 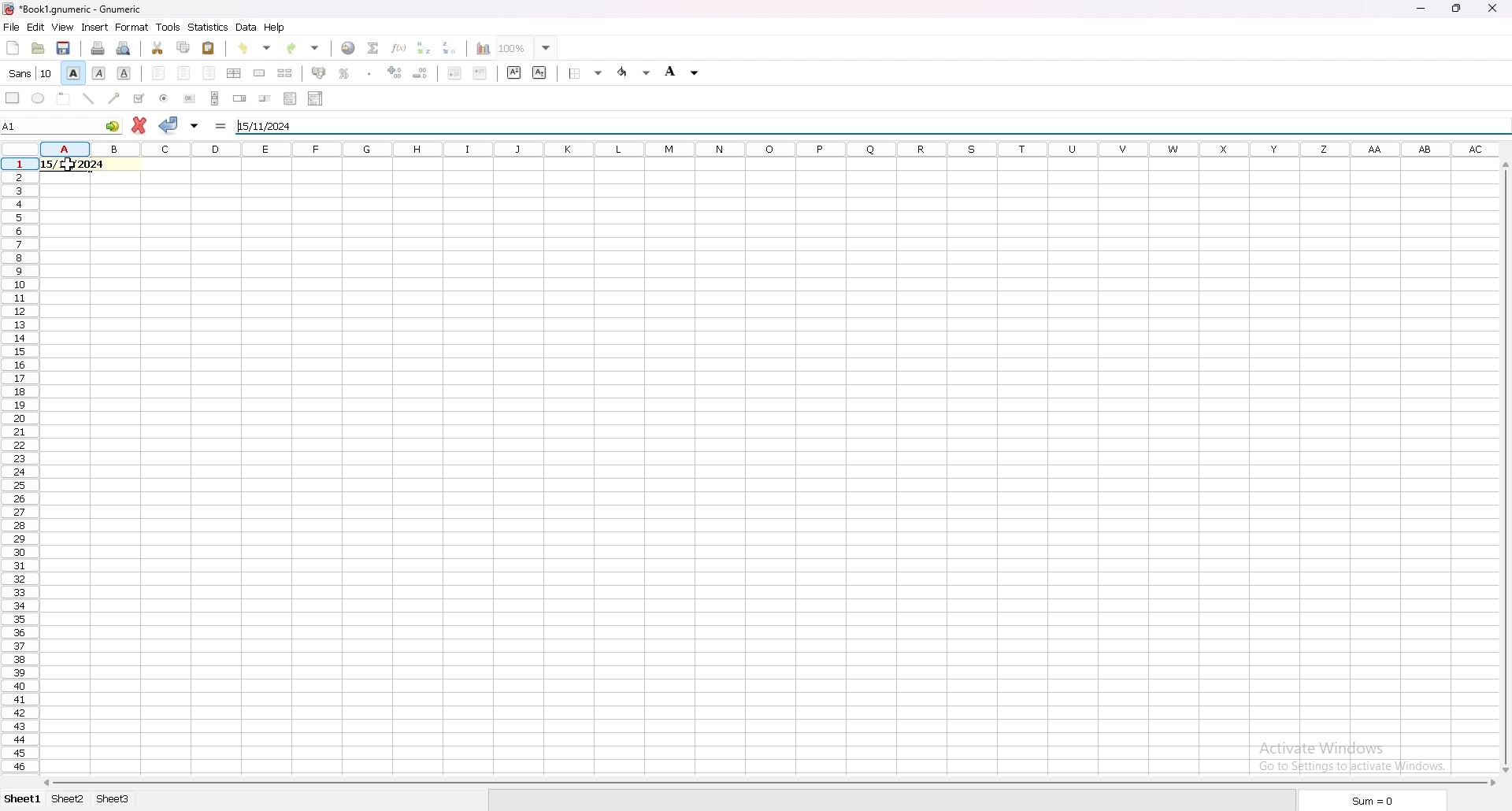 What do you see at coordinates (39, 48) in the screenshot?
I see `open` at bounding box center [39, 48].